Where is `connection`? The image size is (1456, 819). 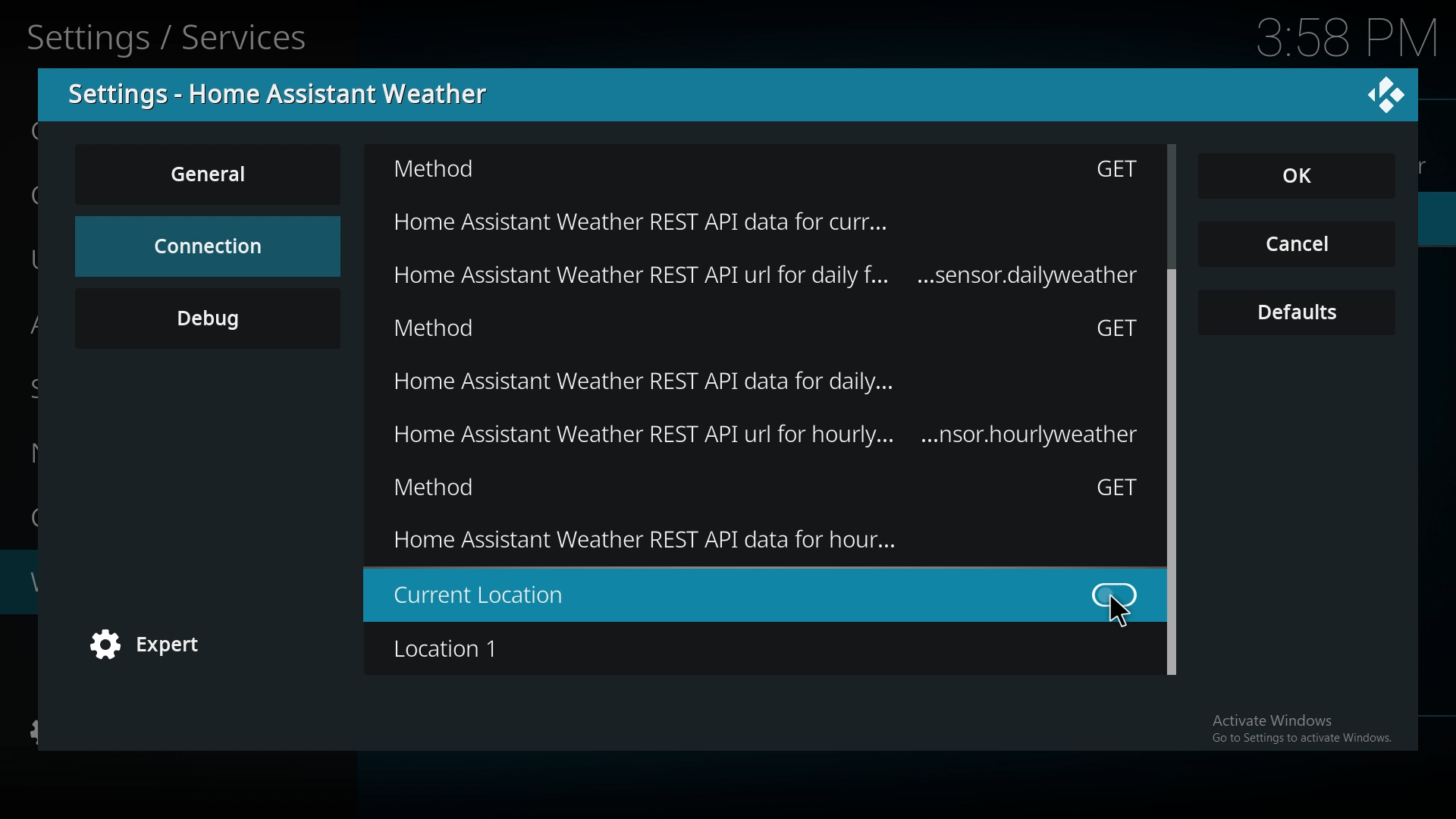
connection is located at coordinates (206, 246).